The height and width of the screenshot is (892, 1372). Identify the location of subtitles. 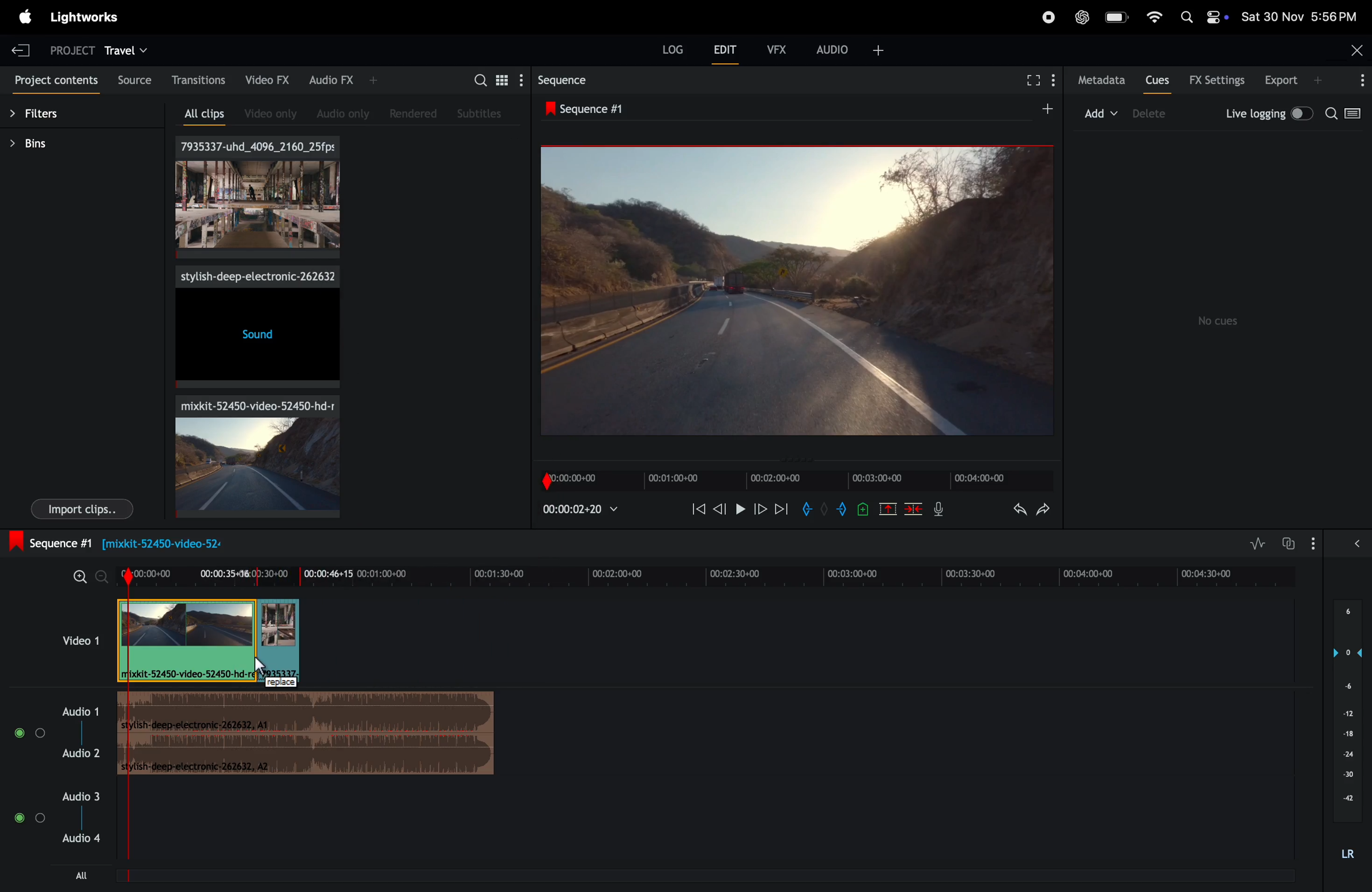
(480, 112).